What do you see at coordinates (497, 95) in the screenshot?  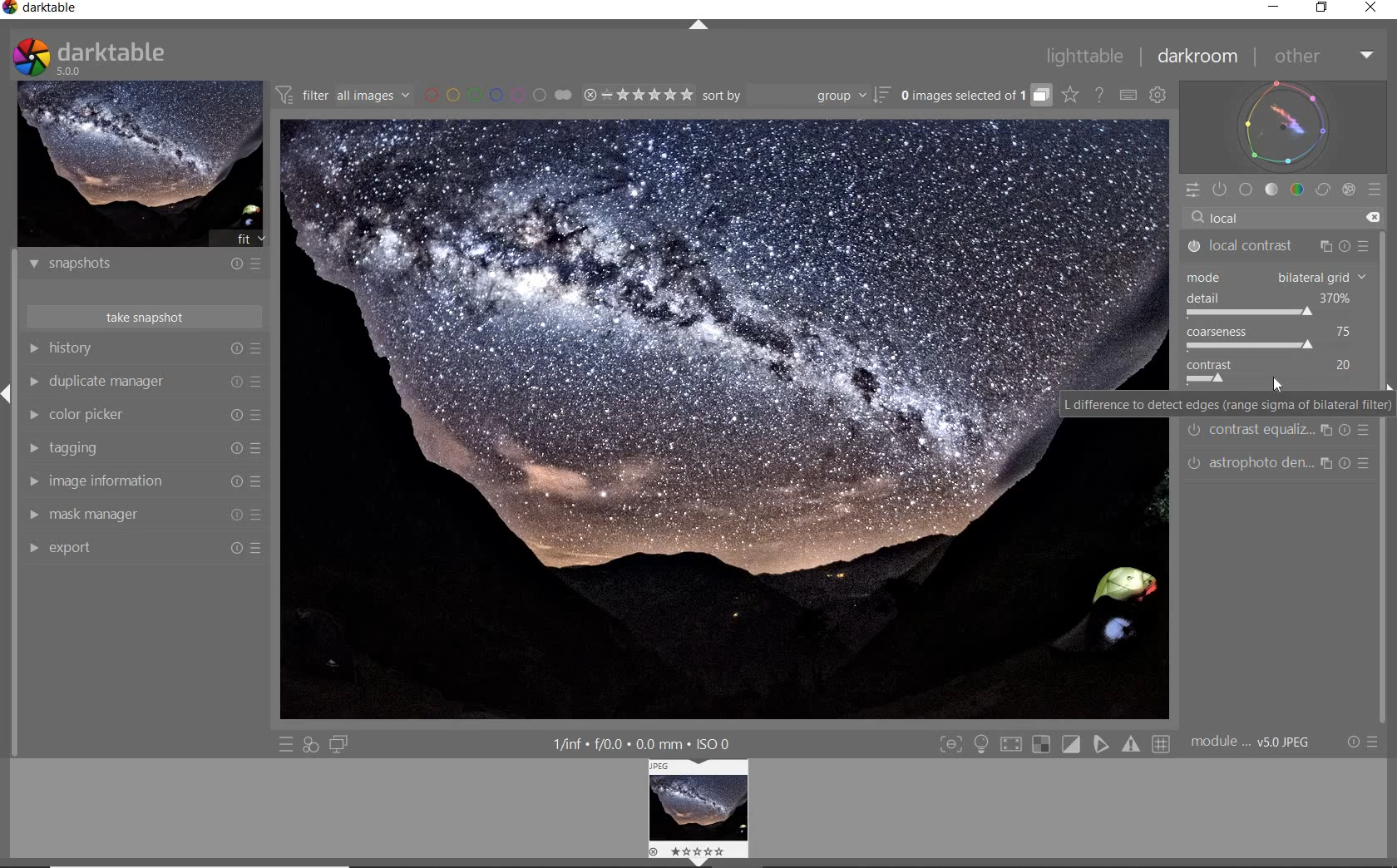 I see `FILTER BY IMAGE COLOR LABEL` at bounding box center [497, 95].